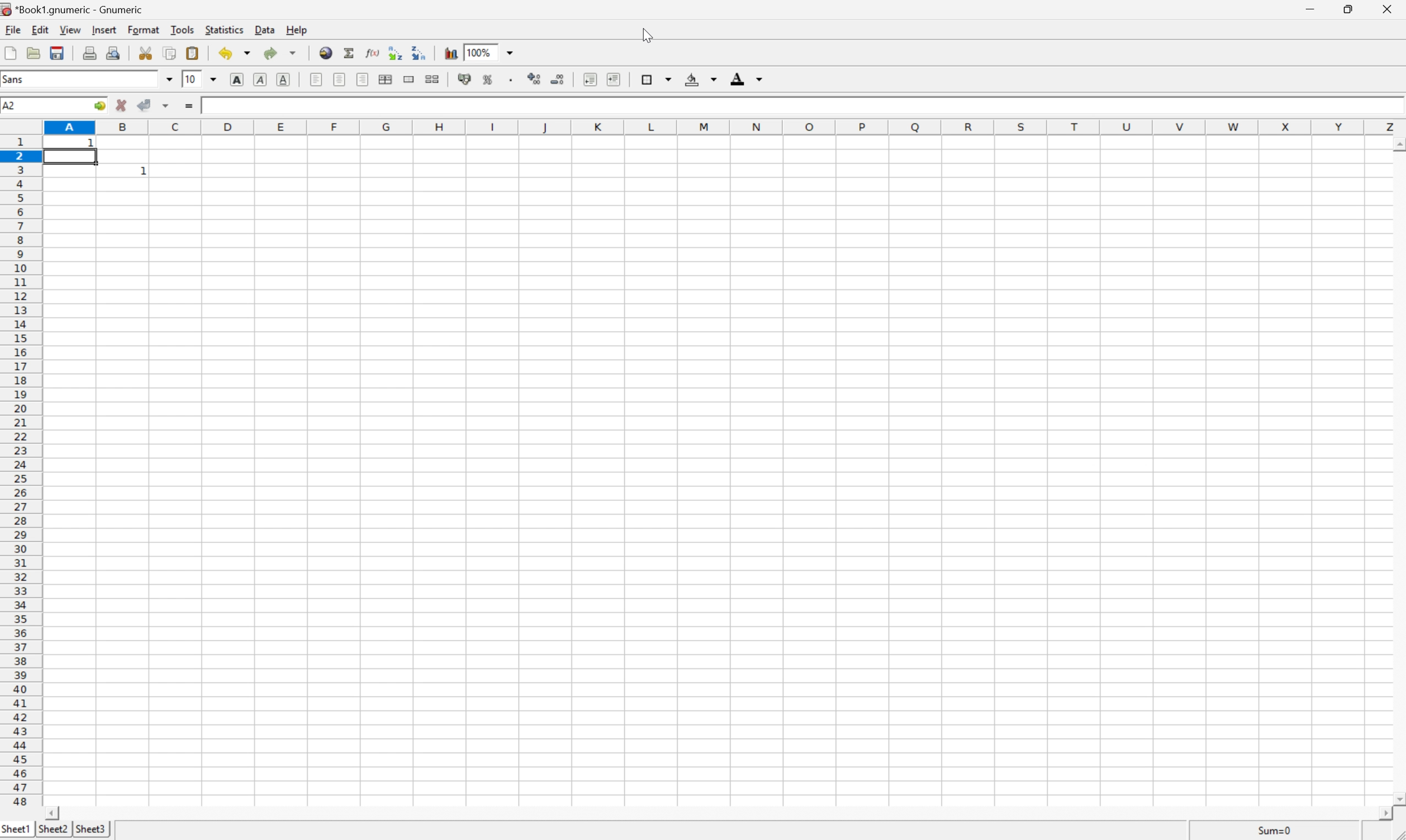 The height and width of the screenshot is (840, 1406). What do you see at coordinates (324, 53) in the screenshot?
I see `insert hyperlink` at bounding box center [324, 53].